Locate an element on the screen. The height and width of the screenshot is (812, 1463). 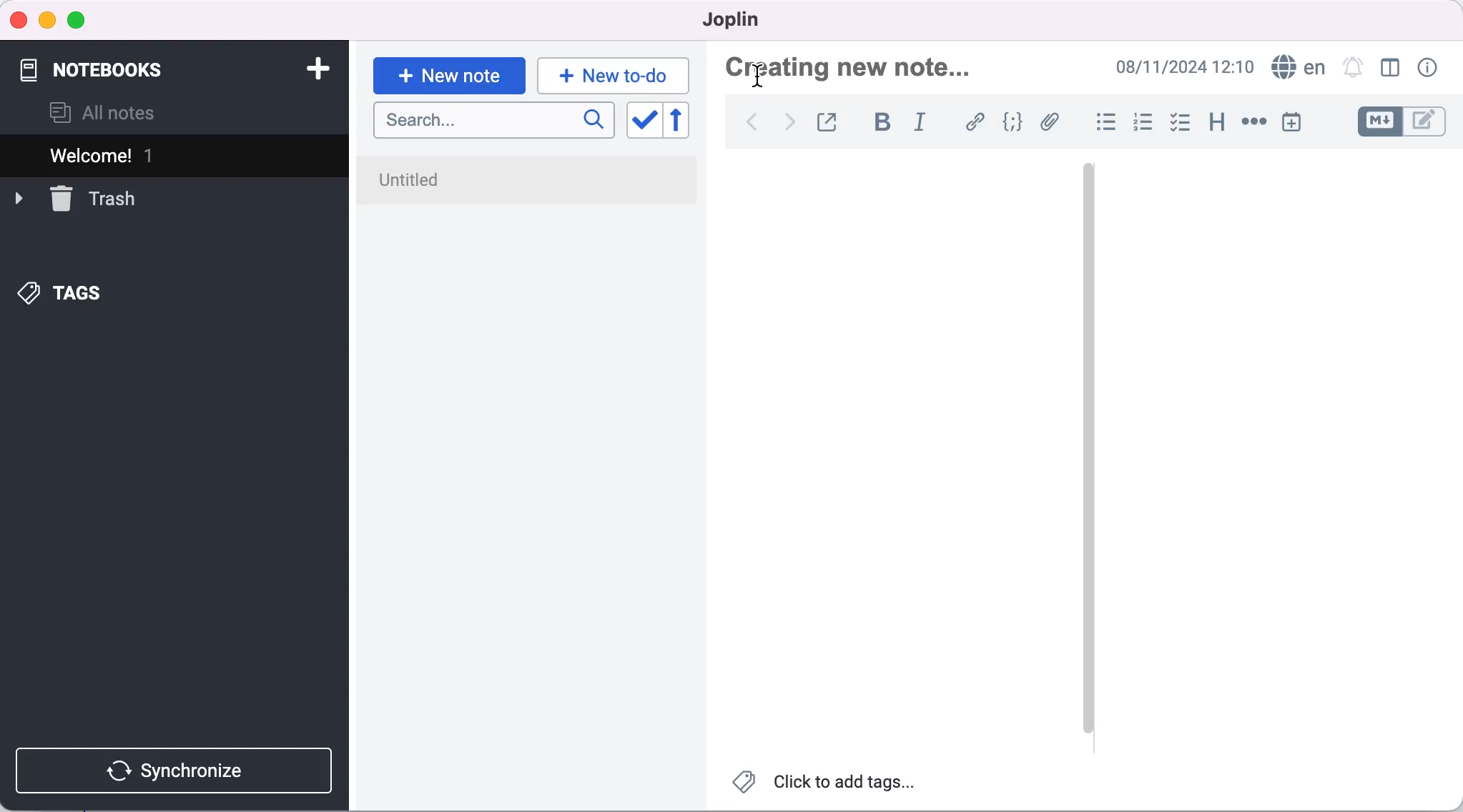
vertical slider is located at coordinates (1088, 457).